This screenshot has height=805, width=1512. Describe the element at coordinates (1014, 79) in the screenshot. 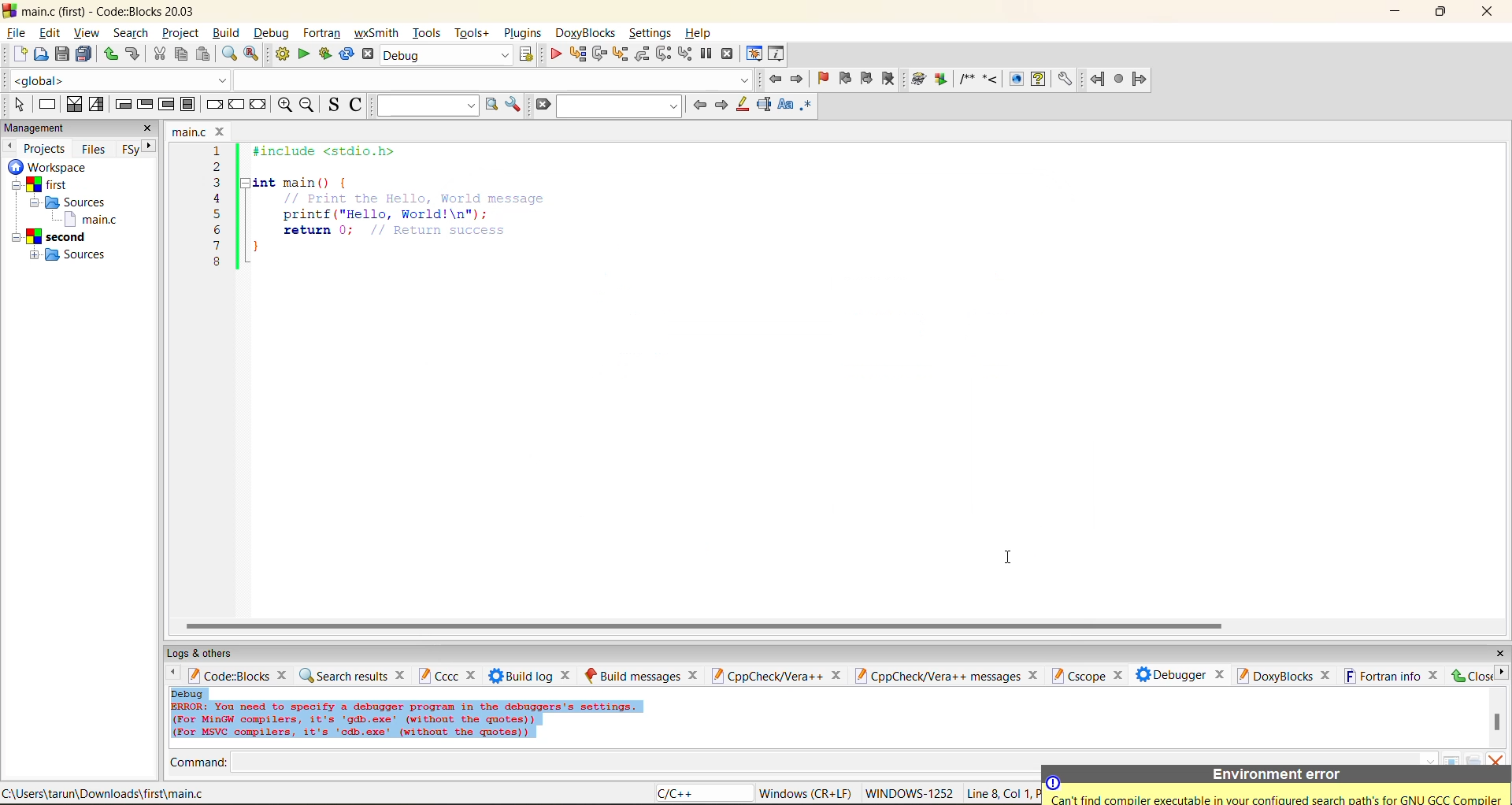

I see `show` at that location.